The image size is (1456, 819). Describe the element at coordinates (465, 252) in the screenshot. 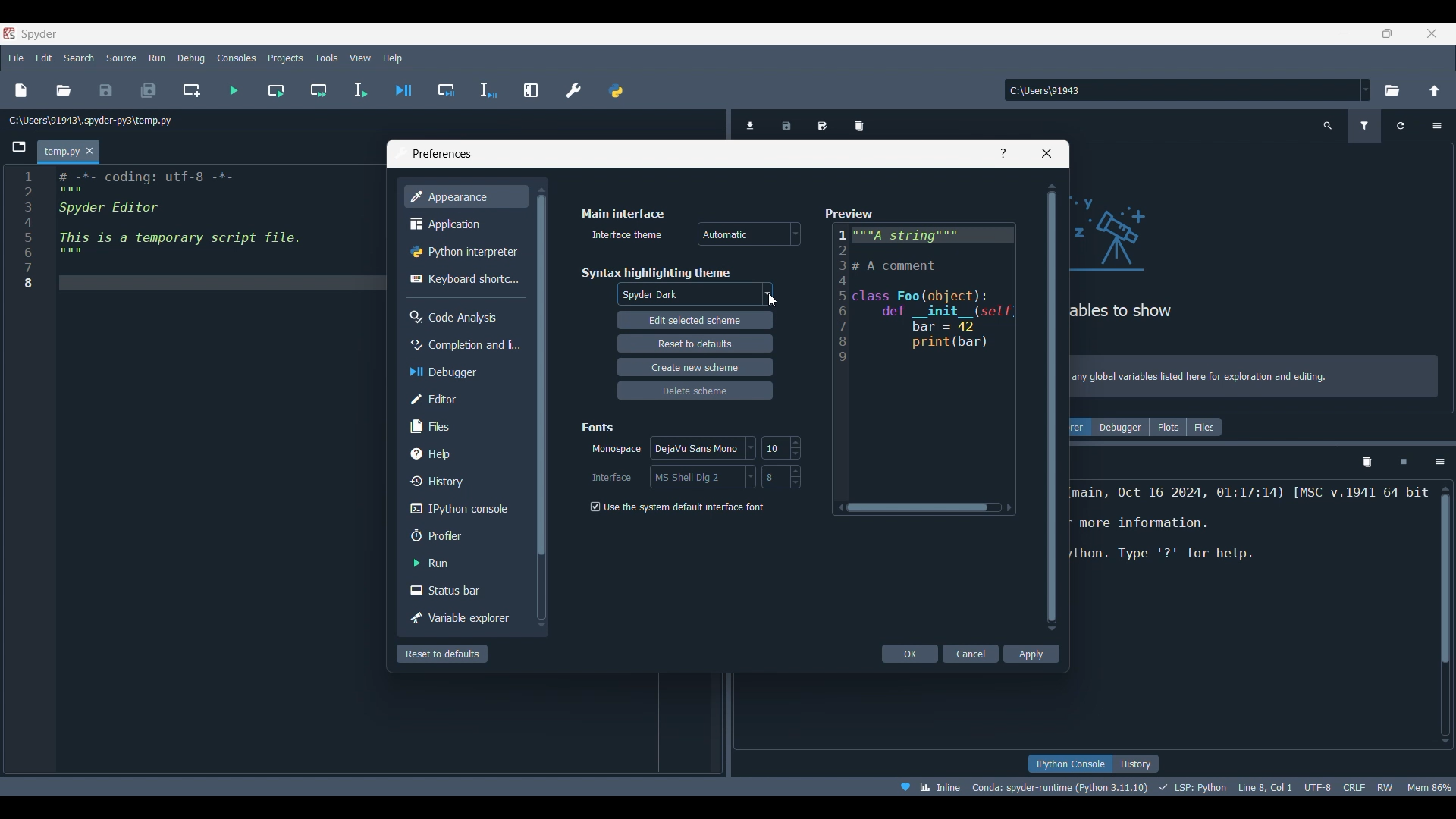

I see `Python interpreter` at that location.